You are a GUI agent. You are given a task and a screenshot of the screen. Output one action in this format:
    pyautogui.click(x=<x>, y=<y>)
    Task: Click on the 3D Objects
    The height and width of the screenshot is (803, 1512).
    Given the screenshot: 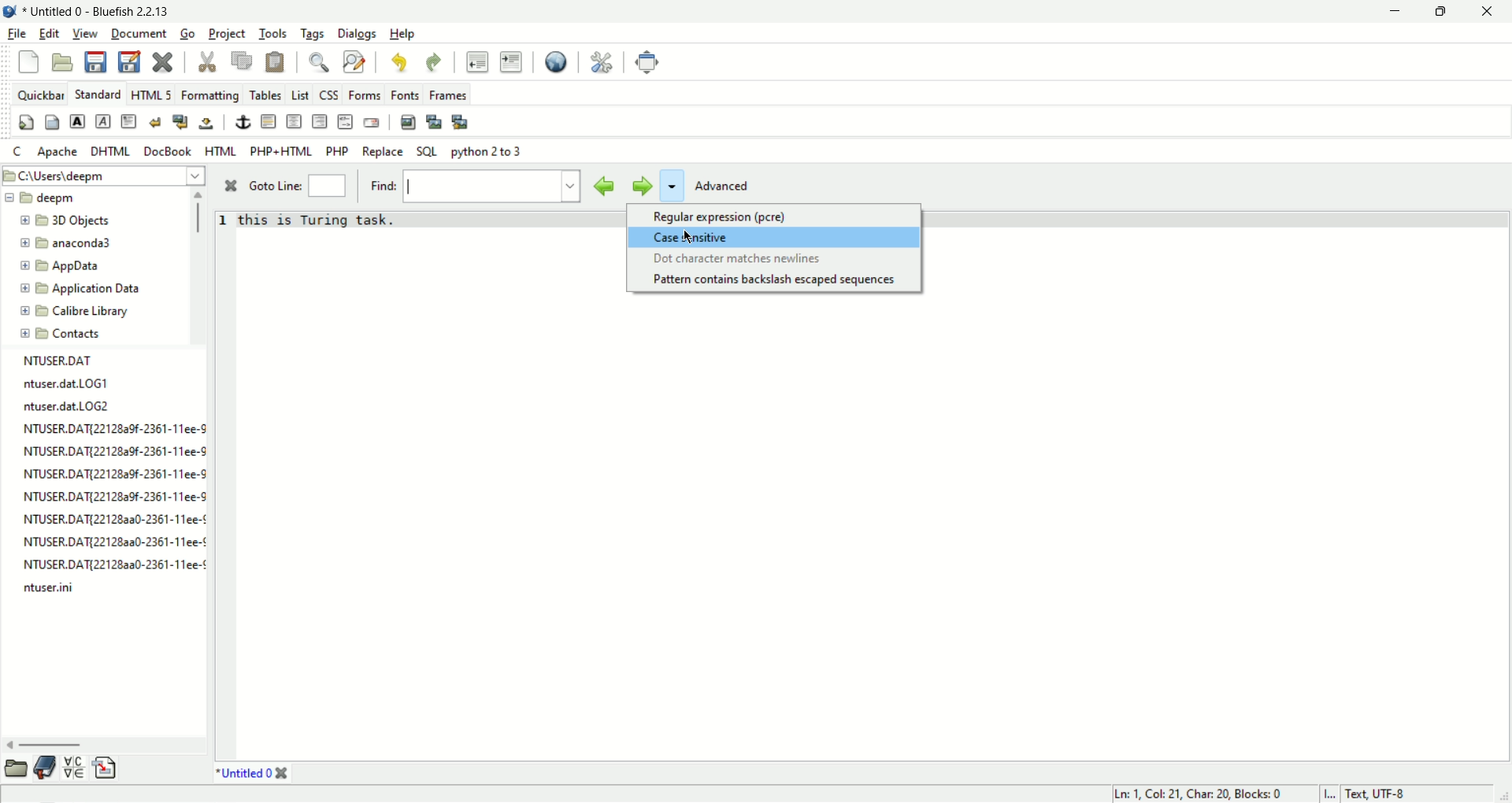 What is the action you would take?
    pyautogui.click(x=72, y=222)
    